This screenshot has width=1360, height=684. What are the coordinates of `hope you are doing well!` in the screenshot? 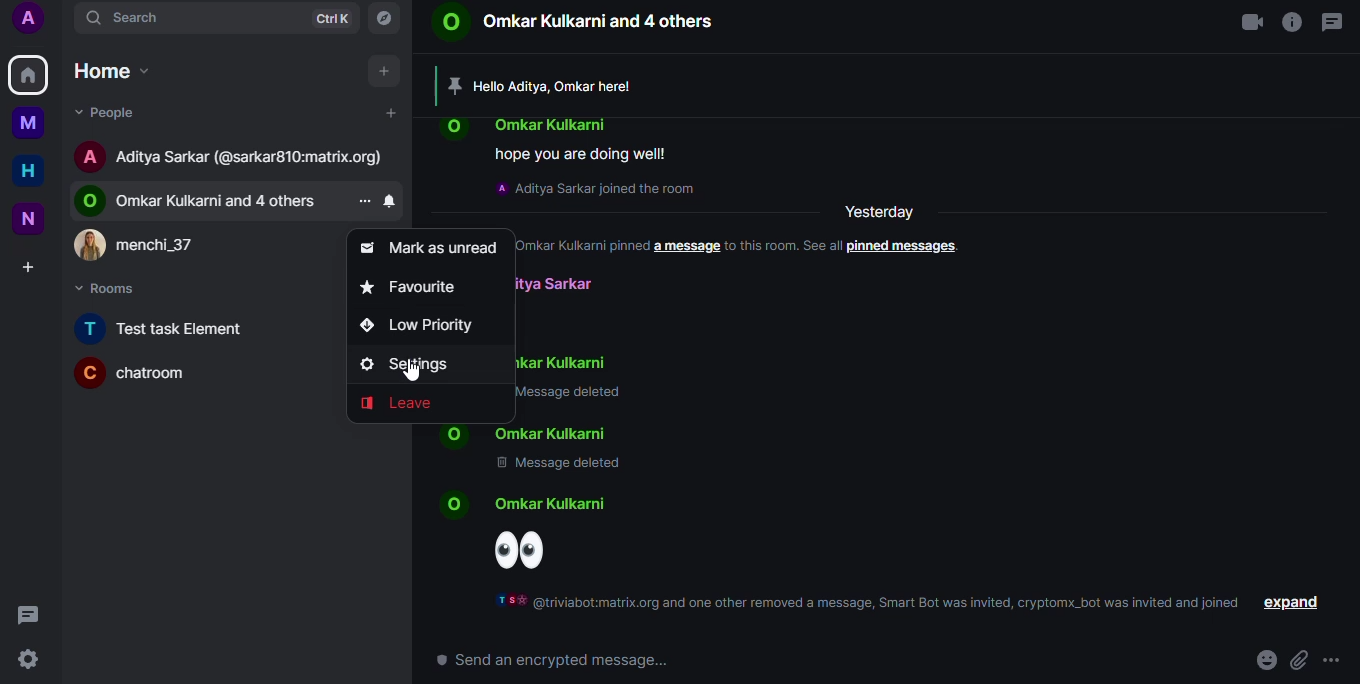 It's located at (584, 153).